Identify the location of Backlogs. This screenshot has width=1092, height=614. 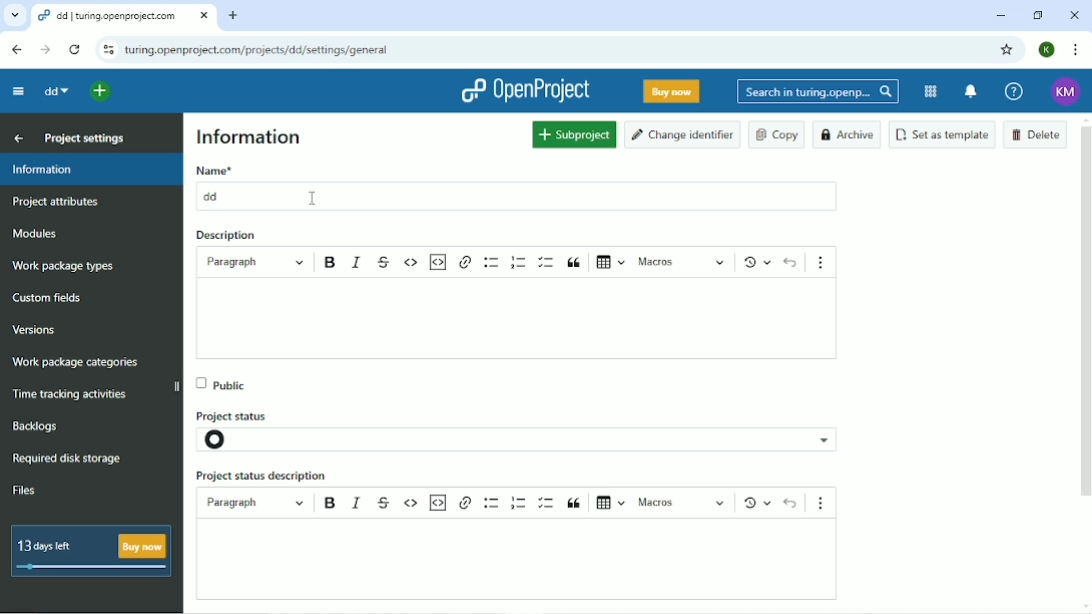
(36, 425).